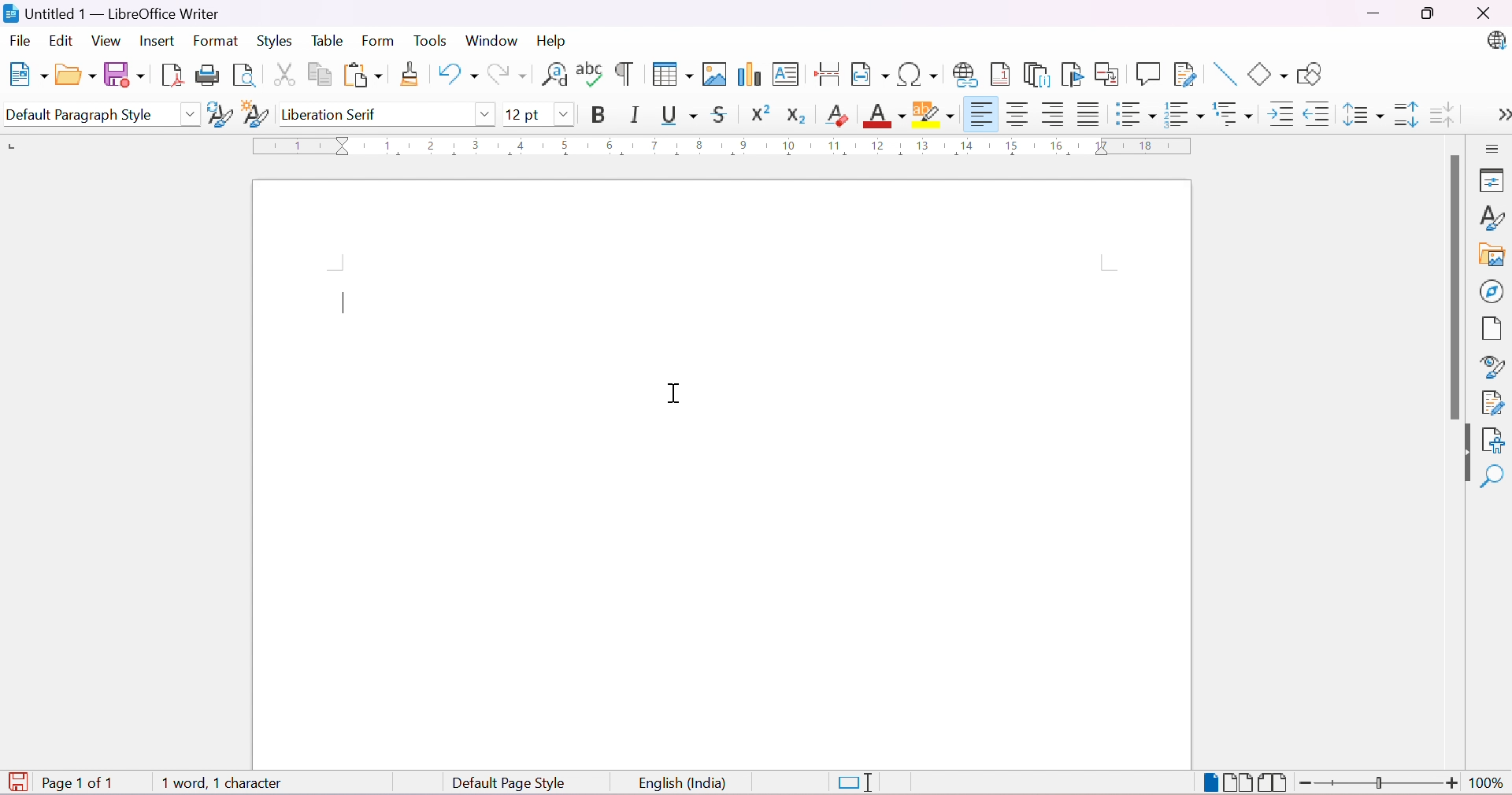 The width and height of the screenshot is (1512, 795). I want to click on Drop Down, so click(484, 117).